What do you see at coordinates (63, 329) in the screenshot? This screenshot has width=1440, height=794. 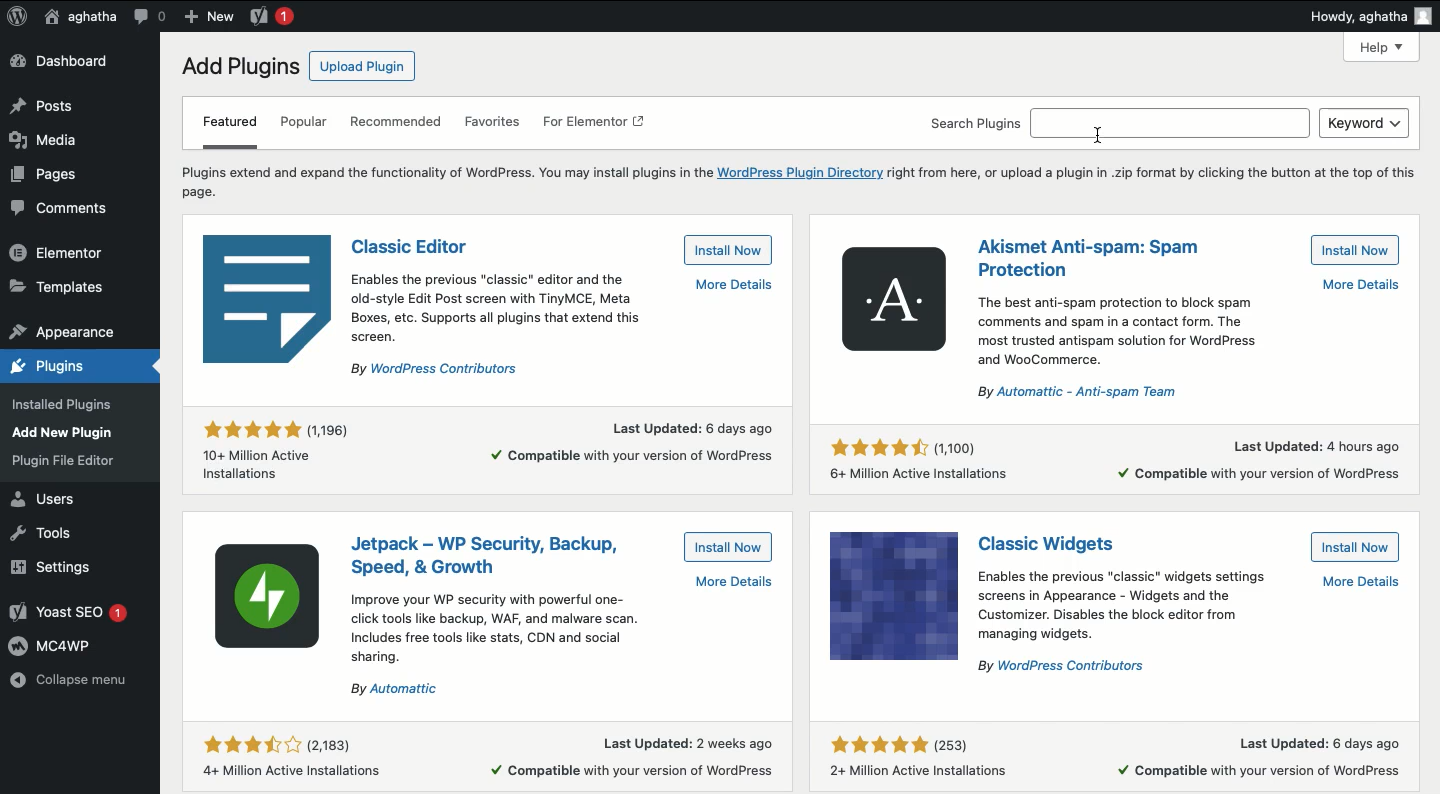 I see `appearance` at bounding box center [63, 329].